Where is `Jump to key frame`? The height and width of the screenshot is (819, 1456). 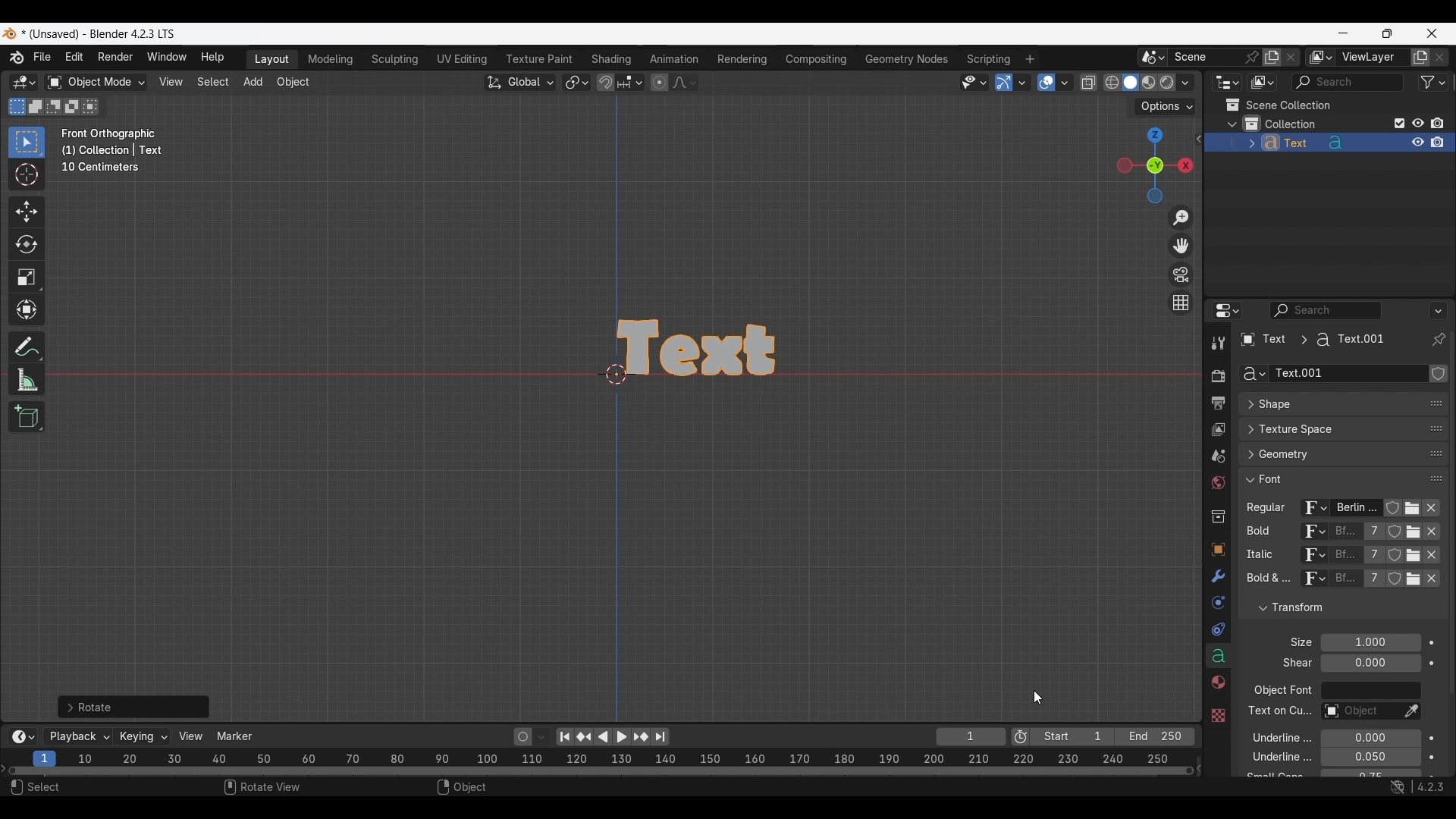 Jump to key frame is located at coordinates (584, 737).